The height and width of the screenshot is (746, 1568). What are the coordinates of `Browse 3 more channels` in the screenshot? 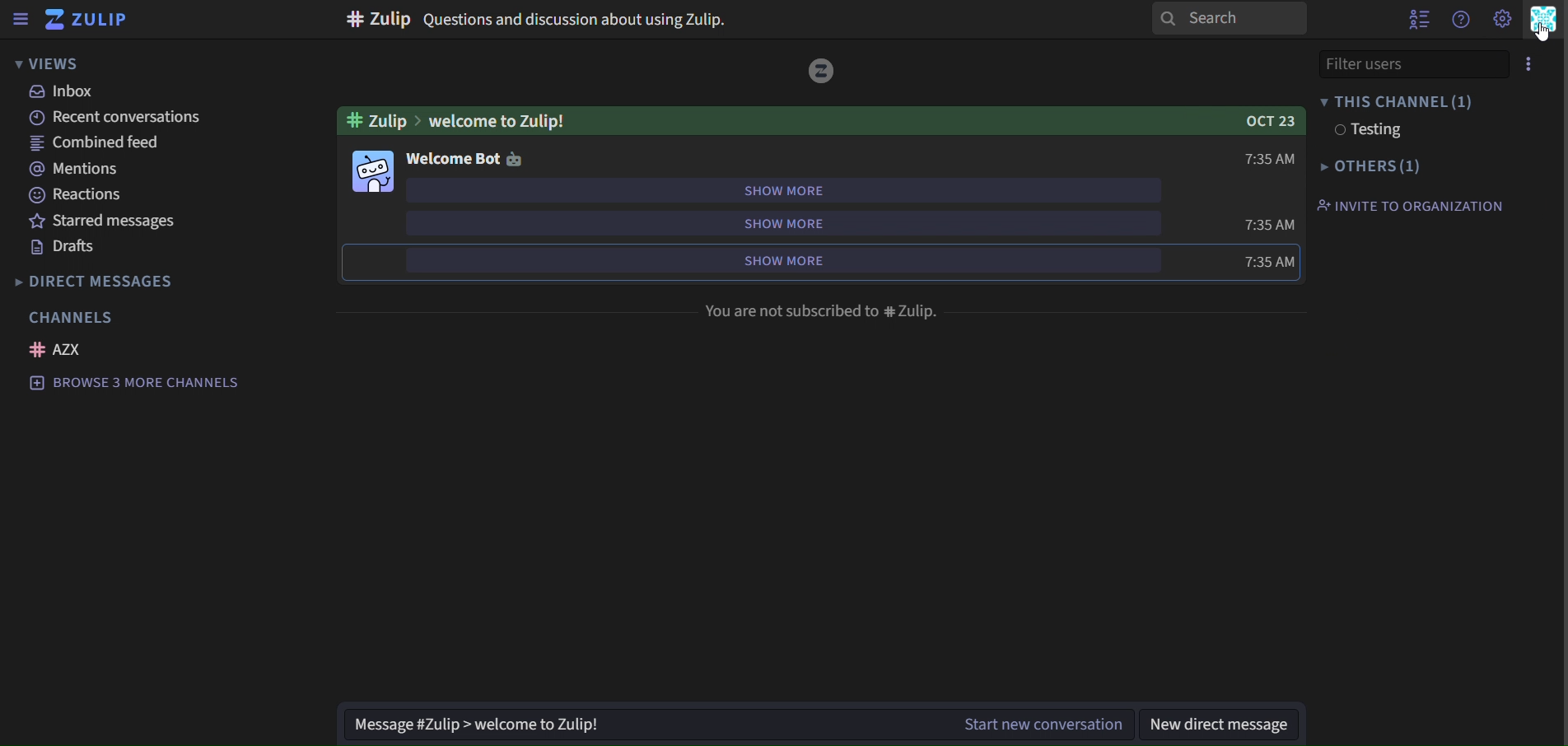 It's located at (140, 385).